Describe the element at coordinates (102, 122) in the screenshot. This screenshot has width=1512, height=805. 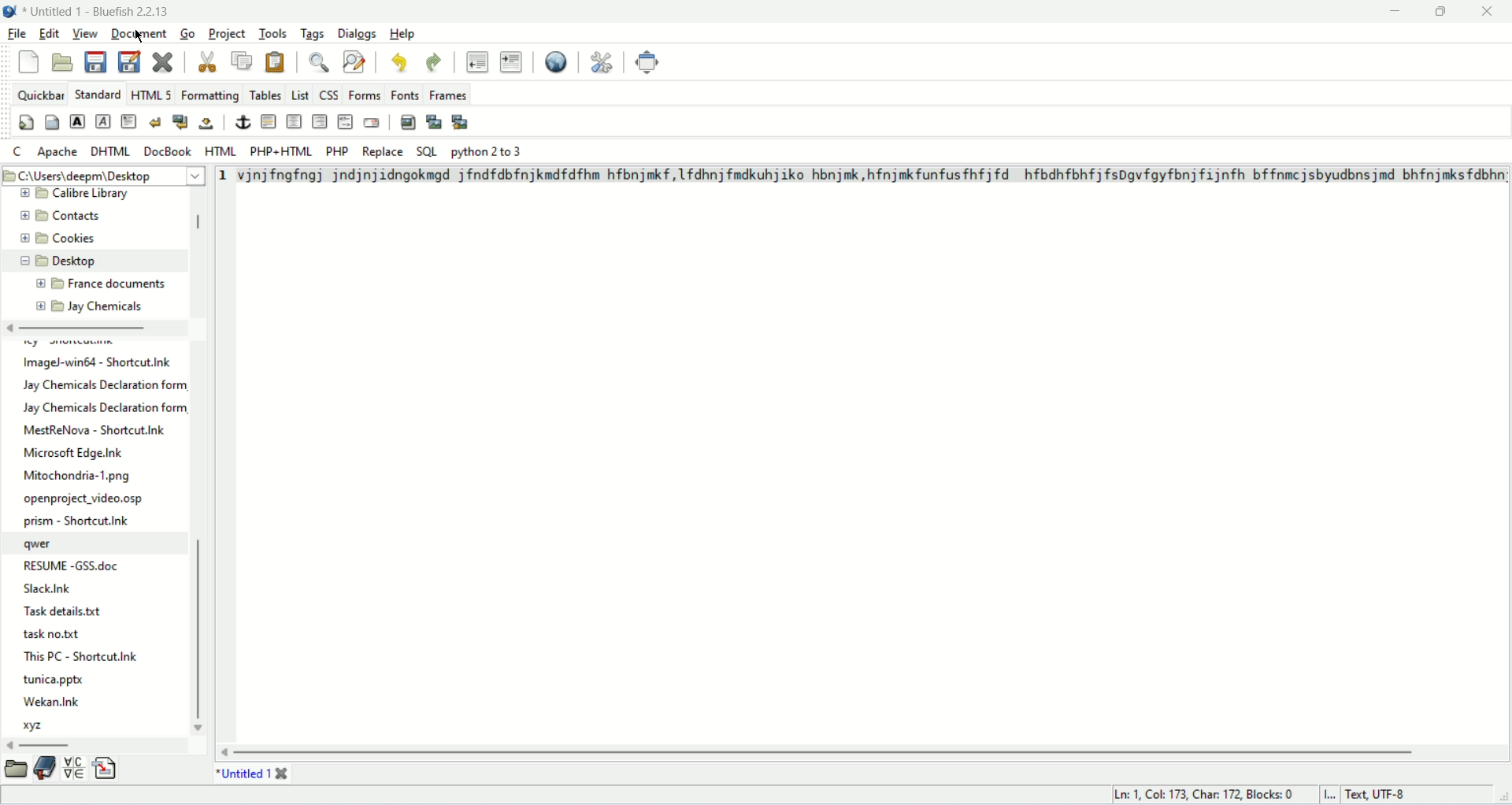
I see `emphasis` at that location.